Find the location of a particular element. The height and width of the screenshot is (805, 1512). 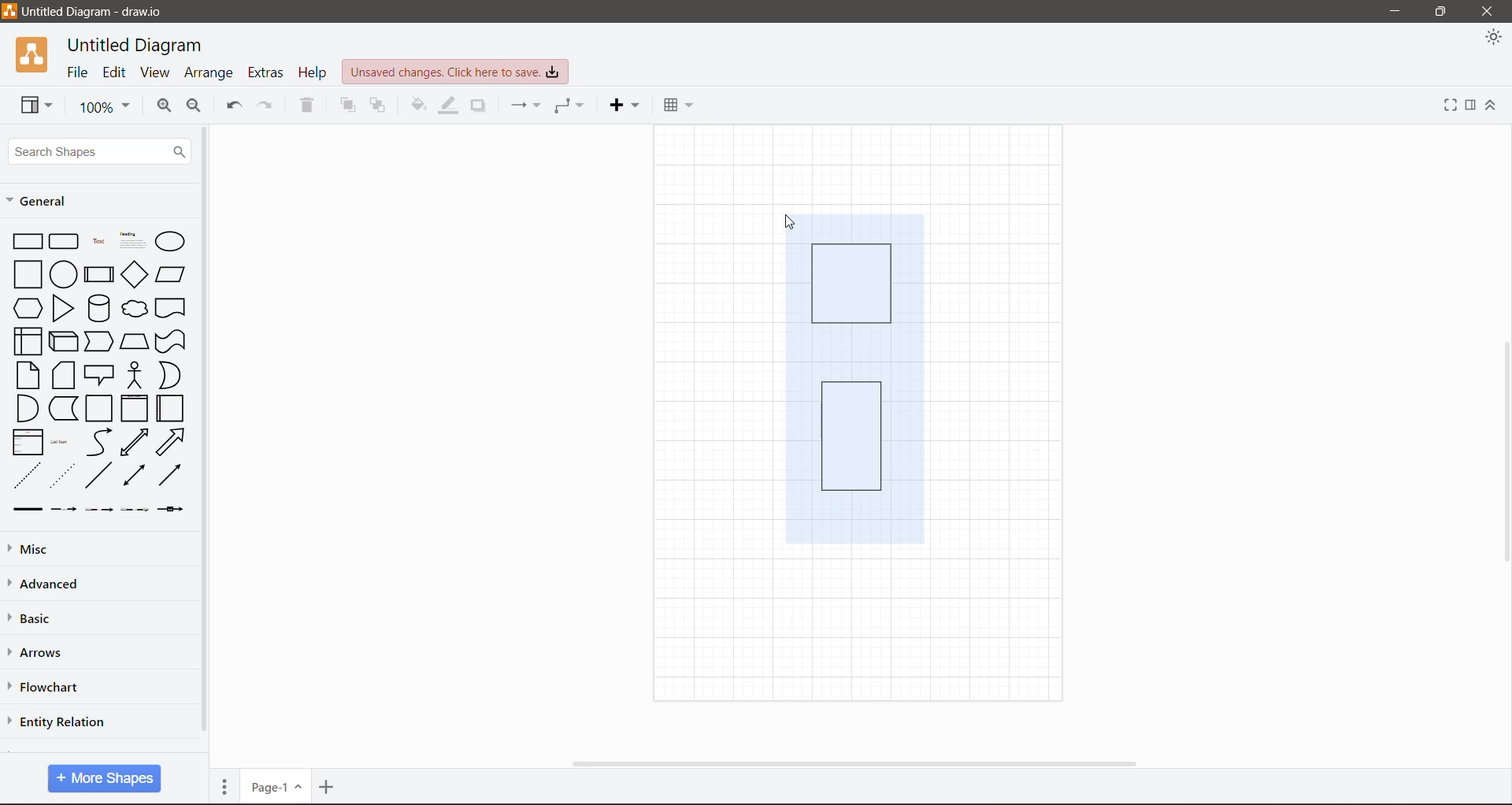

More Shapes is located at coordinates (104, 778).